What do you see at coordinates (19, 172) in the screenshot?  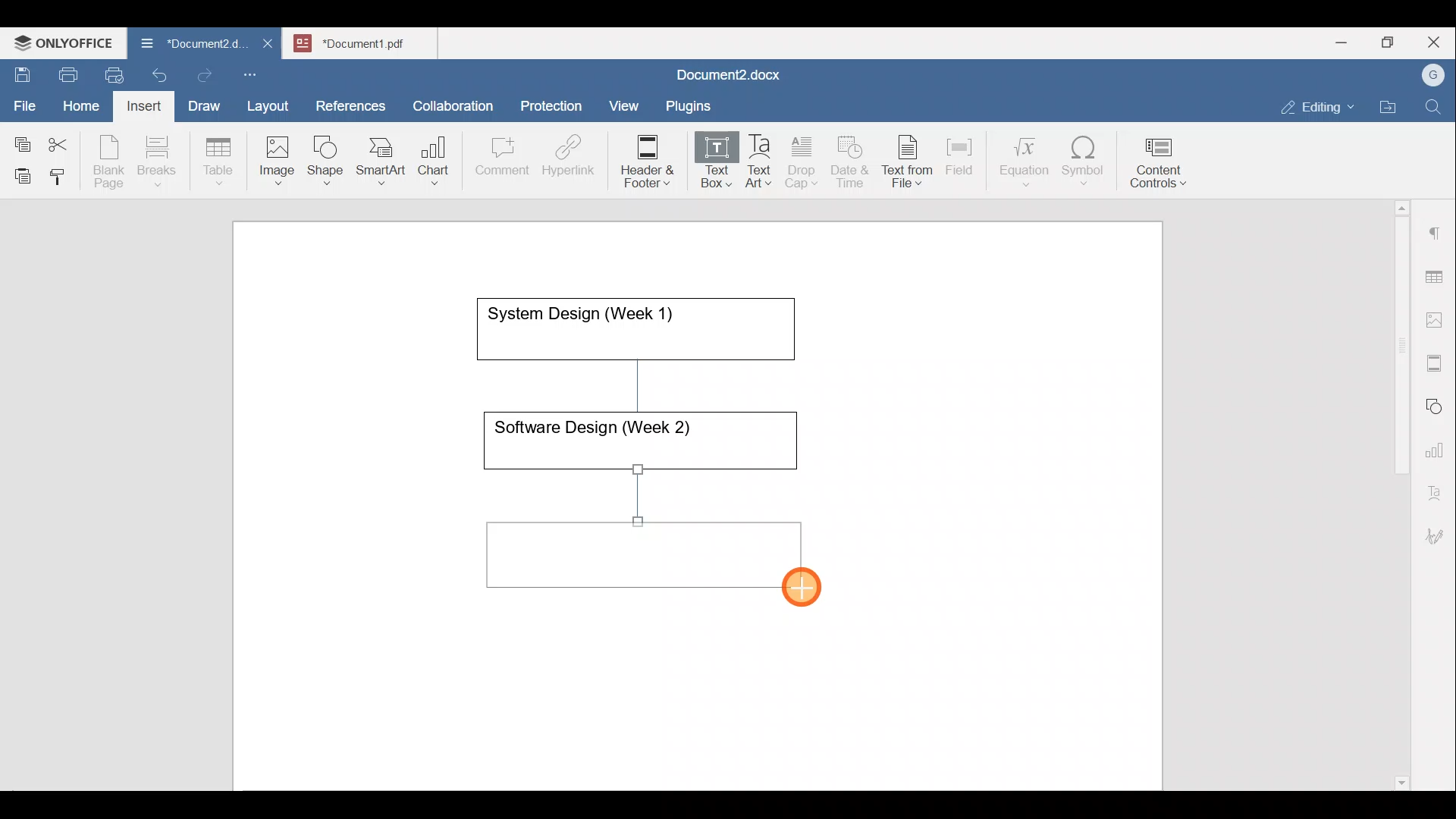 I see `Paste` at bounding box center [19, 172].